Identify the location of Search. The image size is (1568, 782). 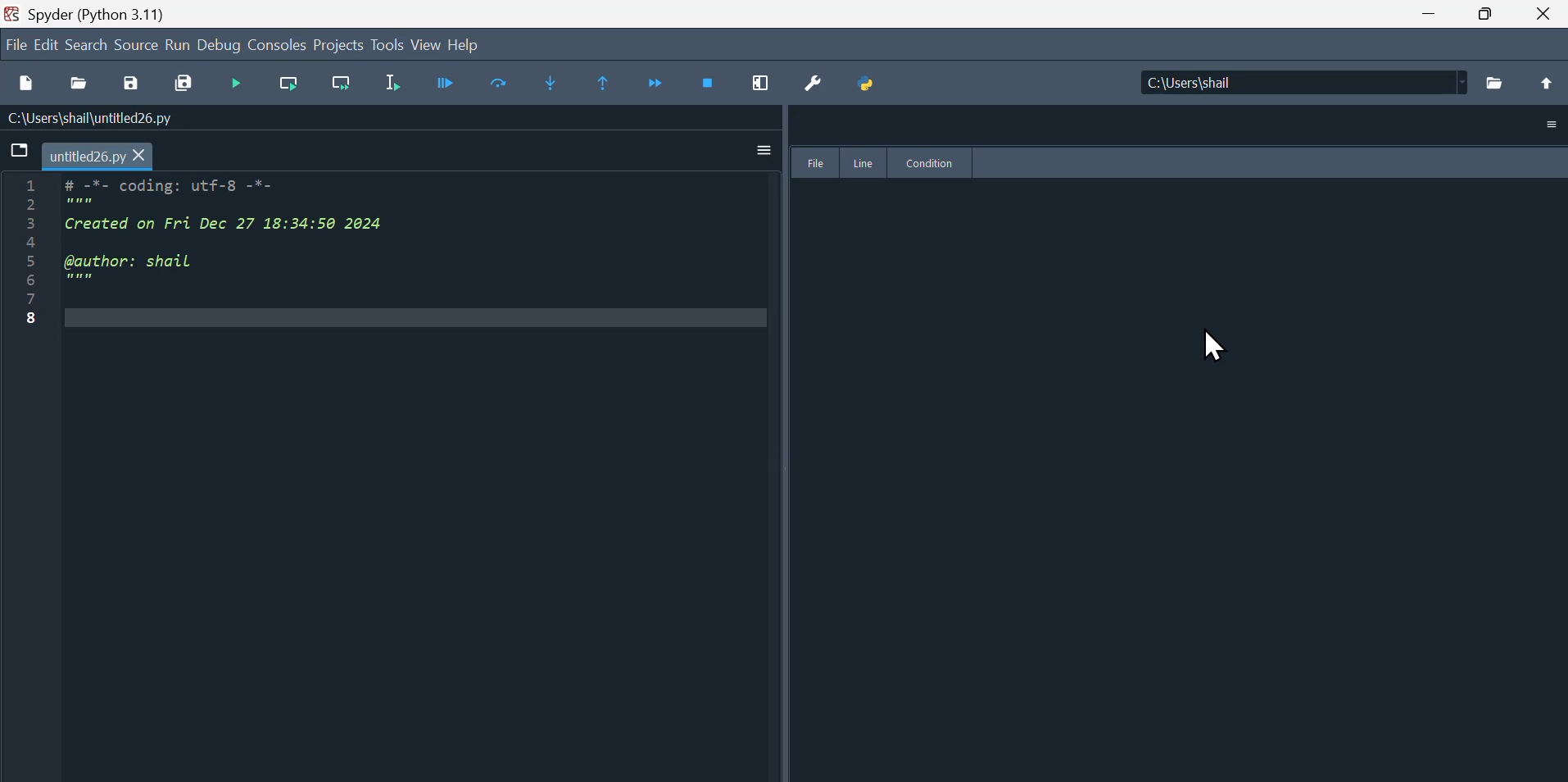
(88, 45).